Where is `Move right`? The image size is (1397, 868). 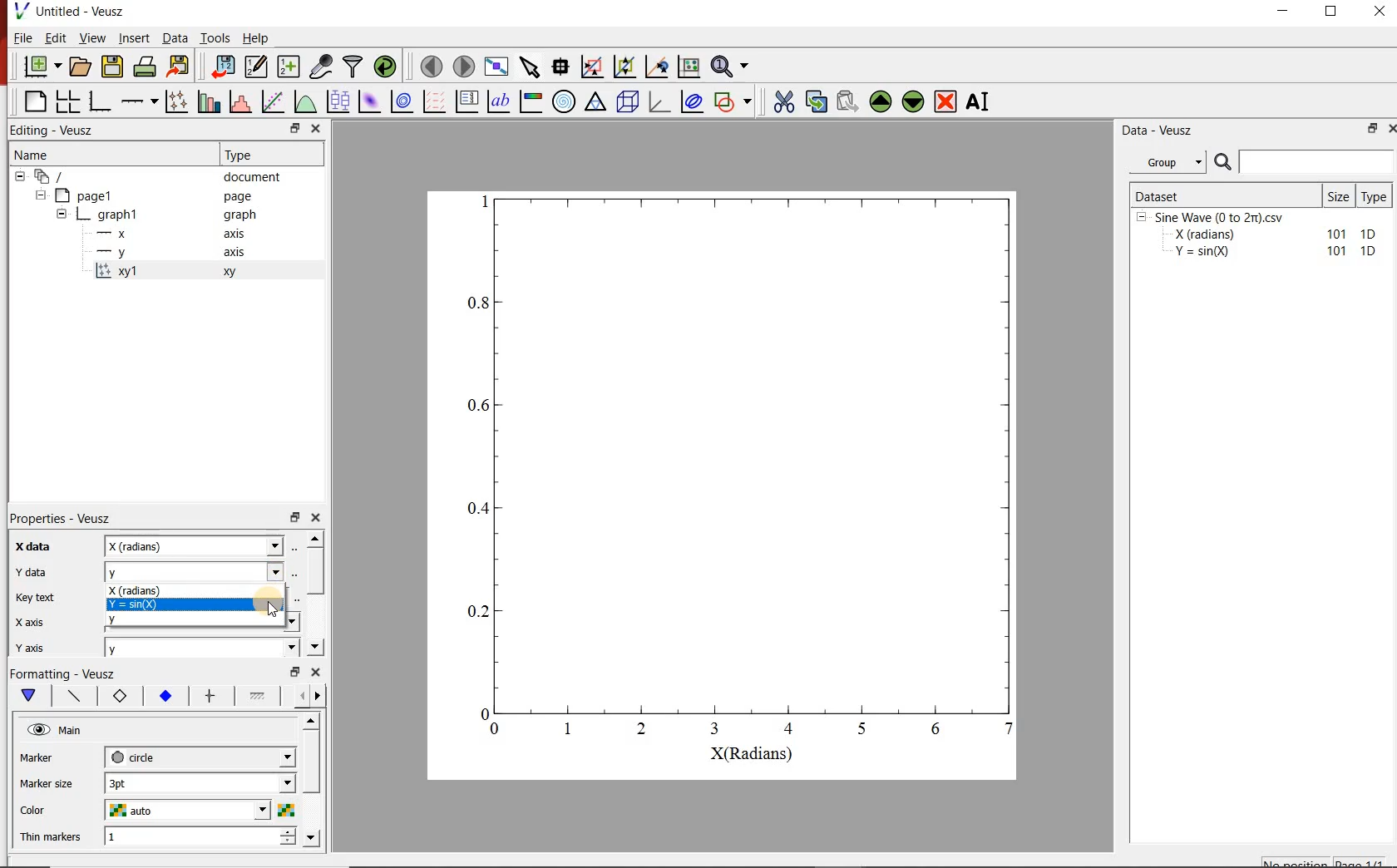
Move right is located at coordinates (320, 696).